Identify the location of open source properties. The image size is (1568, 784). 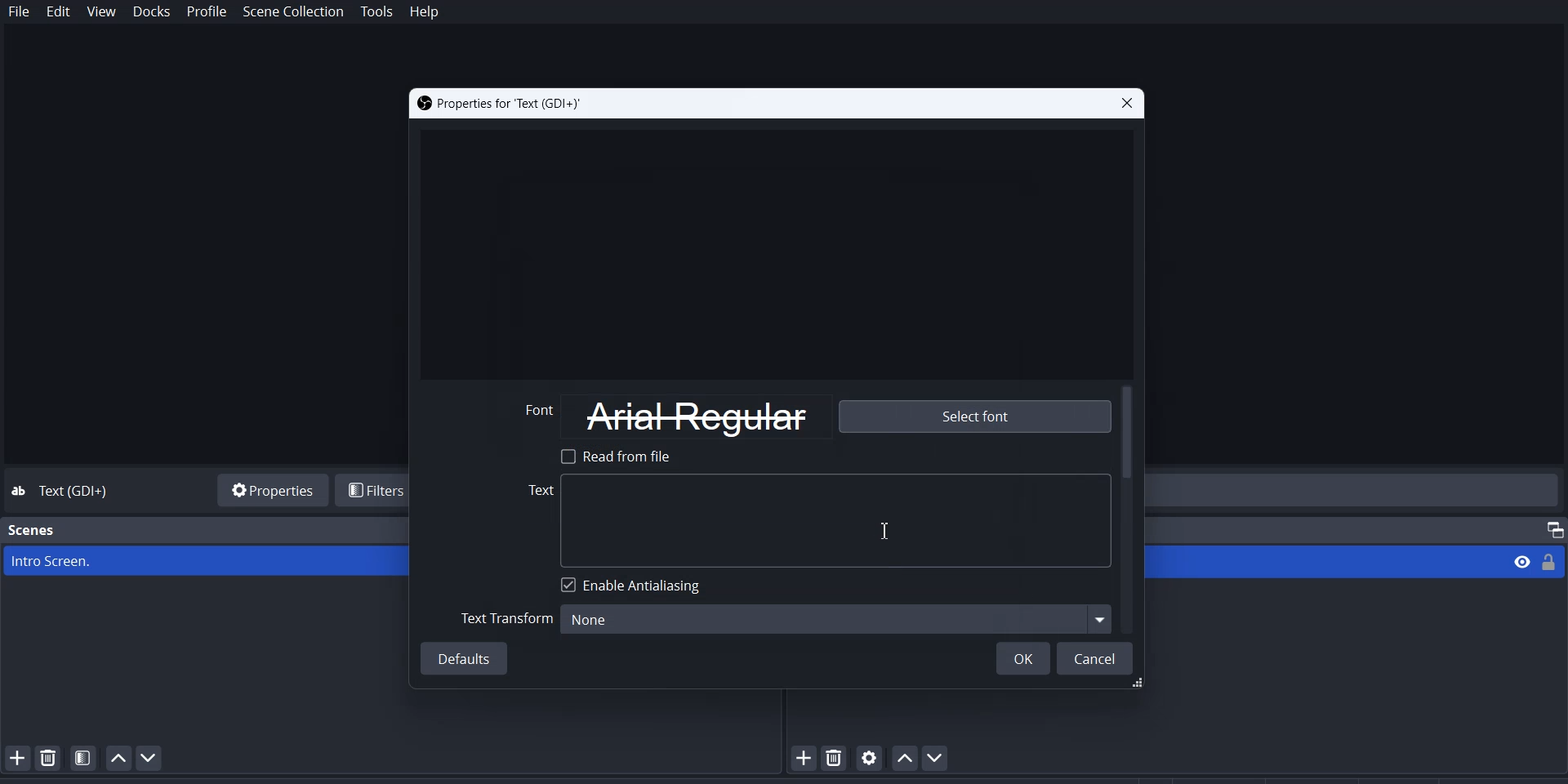
(870, 757).